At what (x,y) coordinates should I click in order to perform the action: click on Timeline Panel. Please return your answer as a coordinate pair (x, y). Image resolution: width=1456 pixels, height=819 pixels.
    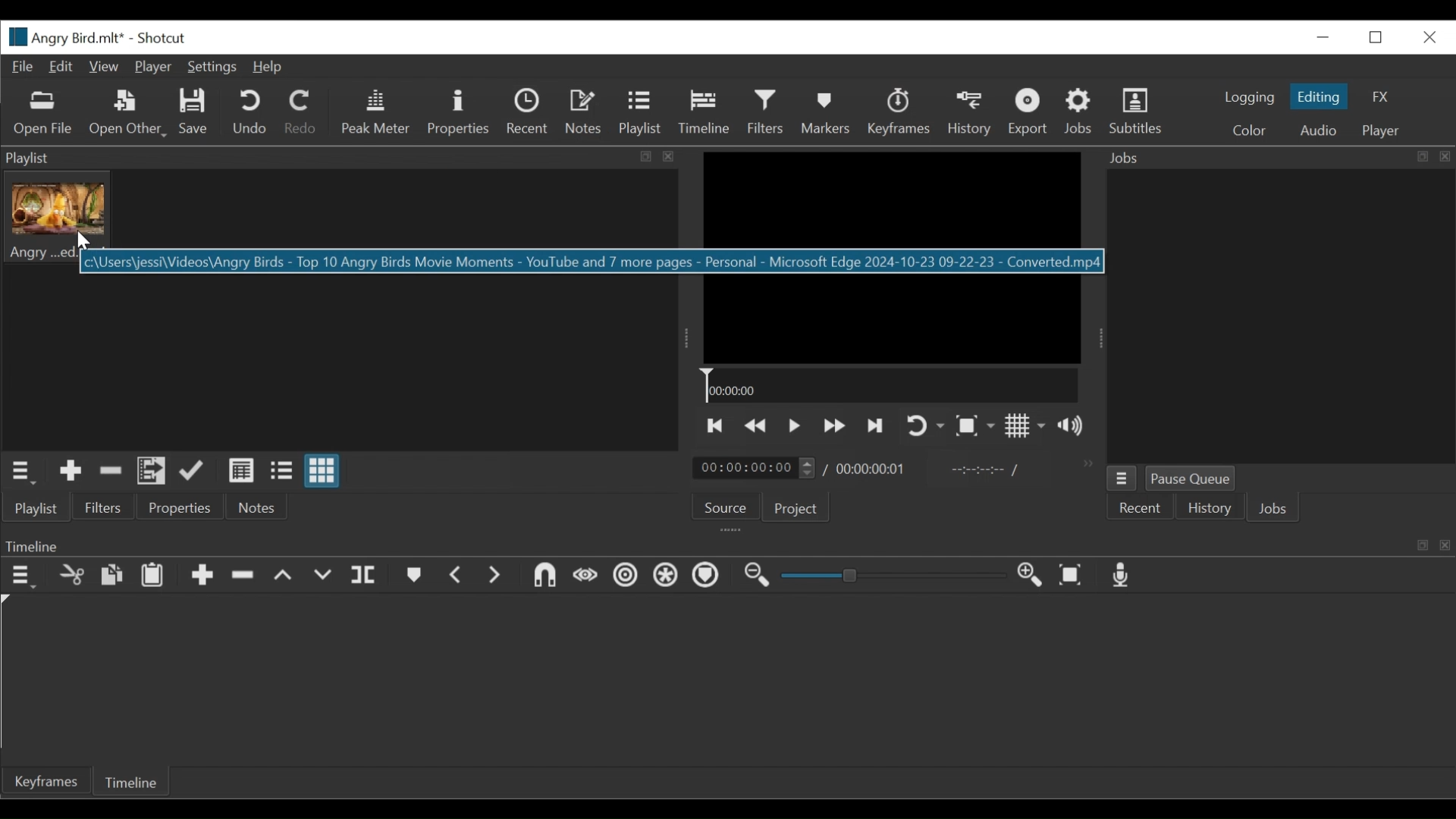
    Looking at the image, I should click on (724, 544).